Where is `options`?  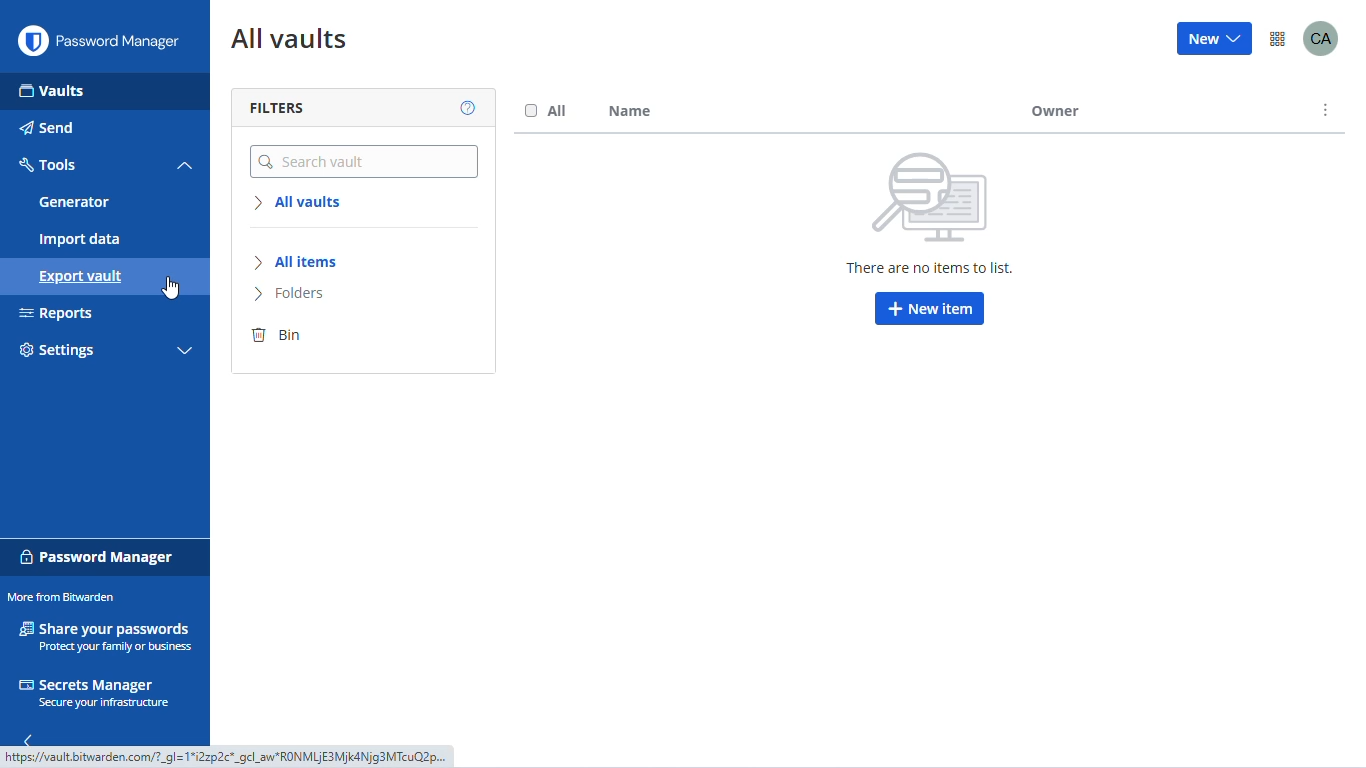
options is located at coordinates (1329, 111).